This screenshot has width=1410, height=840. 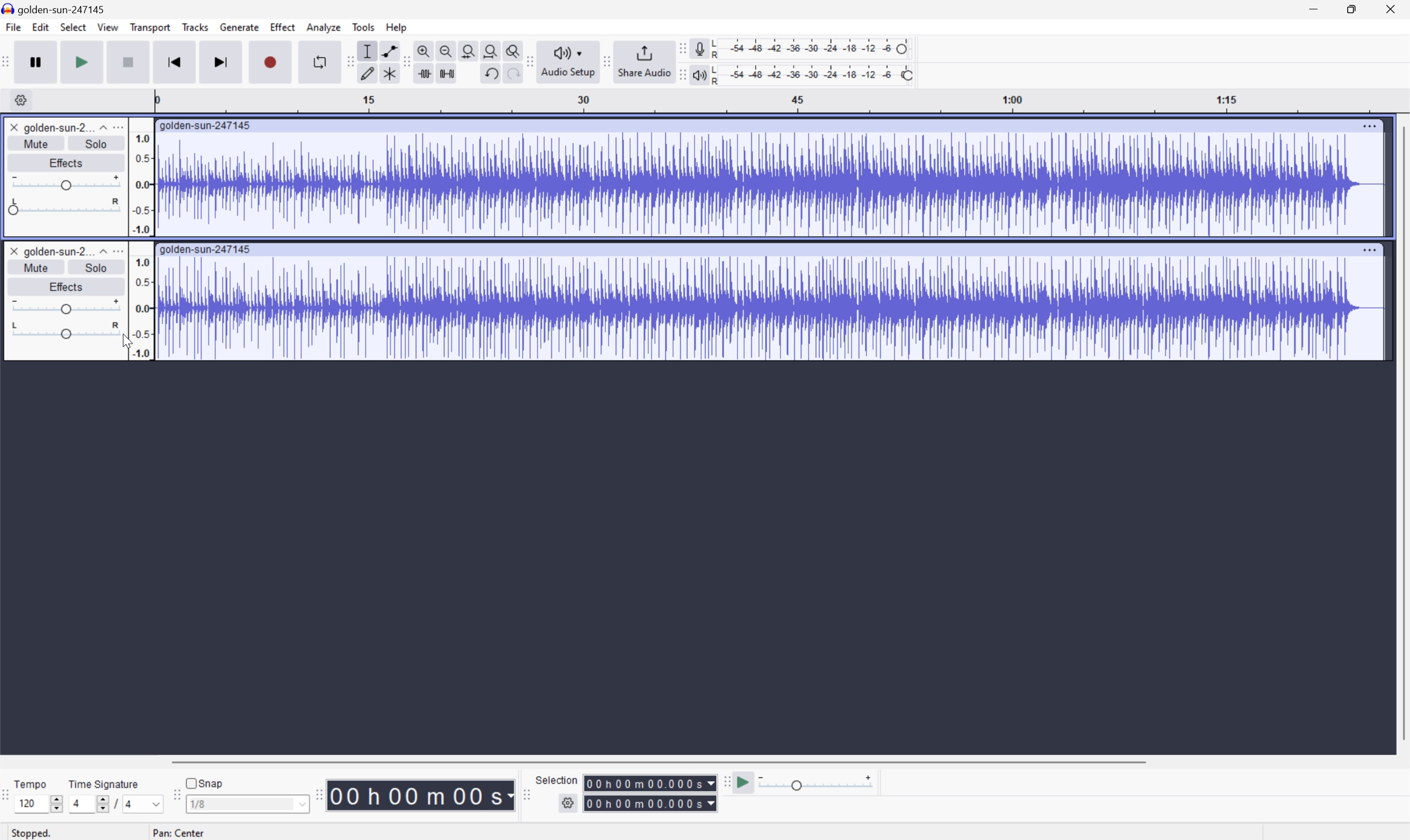 I want to click on golden-sun-2, so click(x=57, y=128).